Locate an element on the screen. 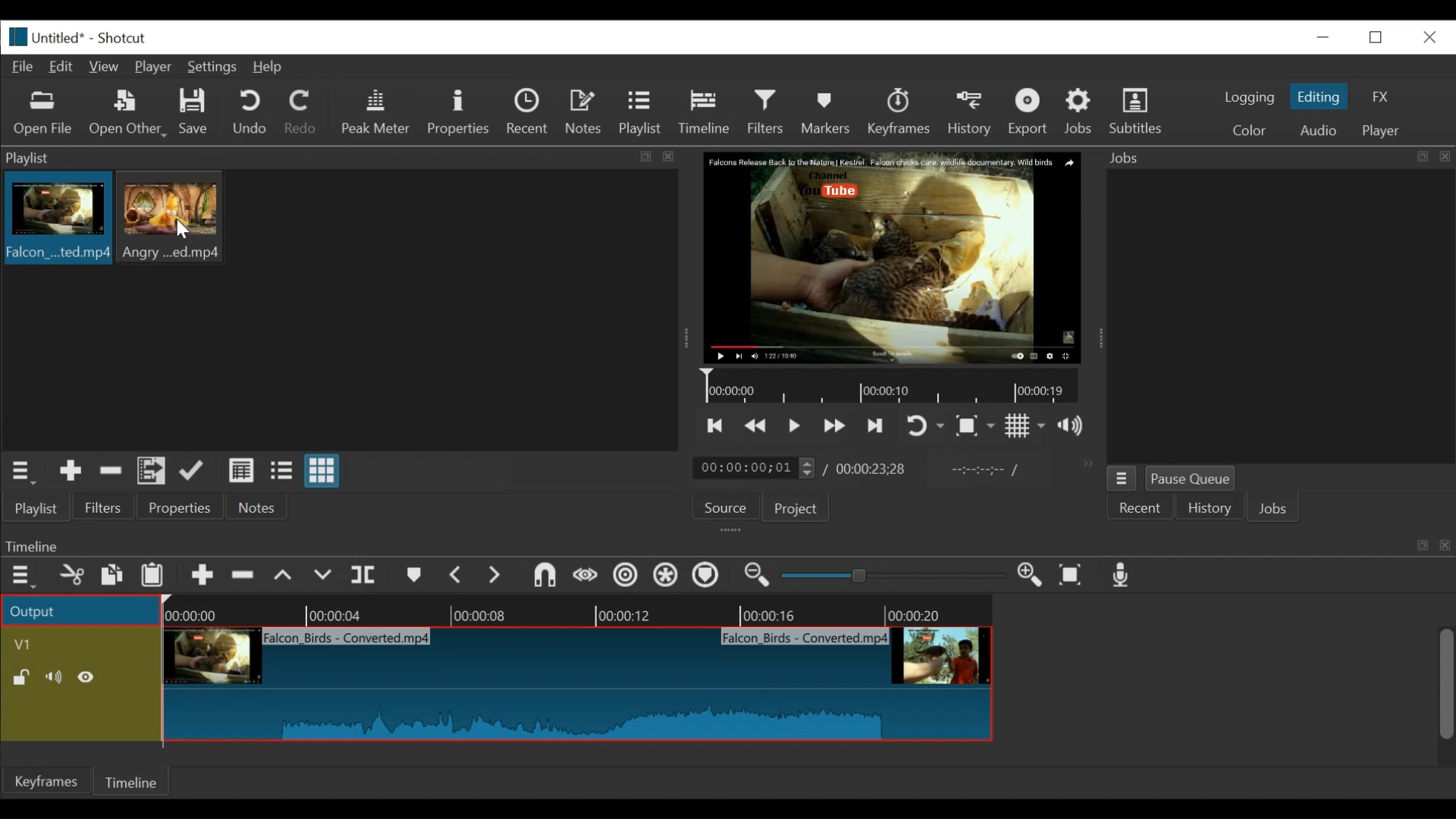  media viewer is located at coordinates (890, 257).